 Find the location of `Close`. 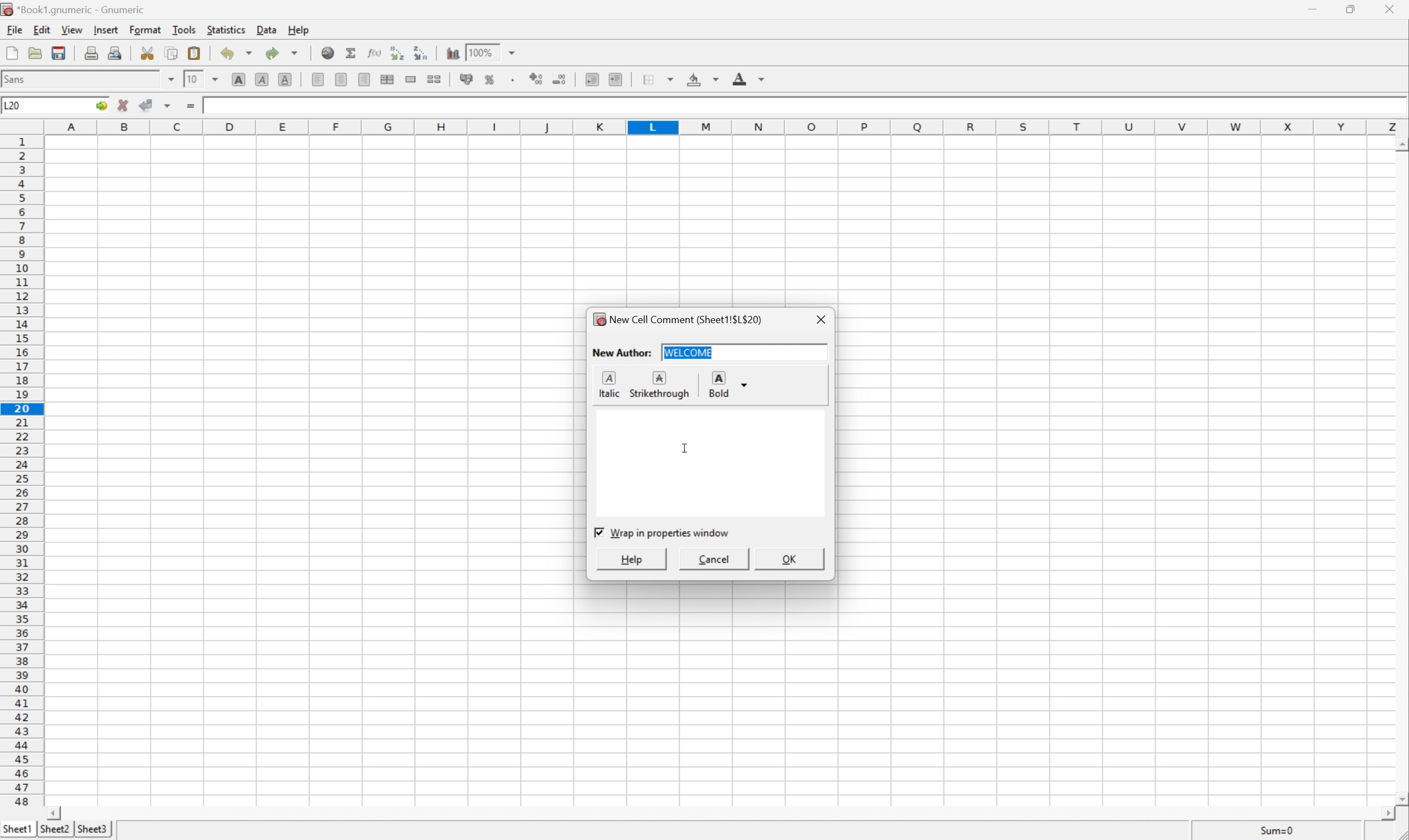

Close is located at coordinates (1389, 9).